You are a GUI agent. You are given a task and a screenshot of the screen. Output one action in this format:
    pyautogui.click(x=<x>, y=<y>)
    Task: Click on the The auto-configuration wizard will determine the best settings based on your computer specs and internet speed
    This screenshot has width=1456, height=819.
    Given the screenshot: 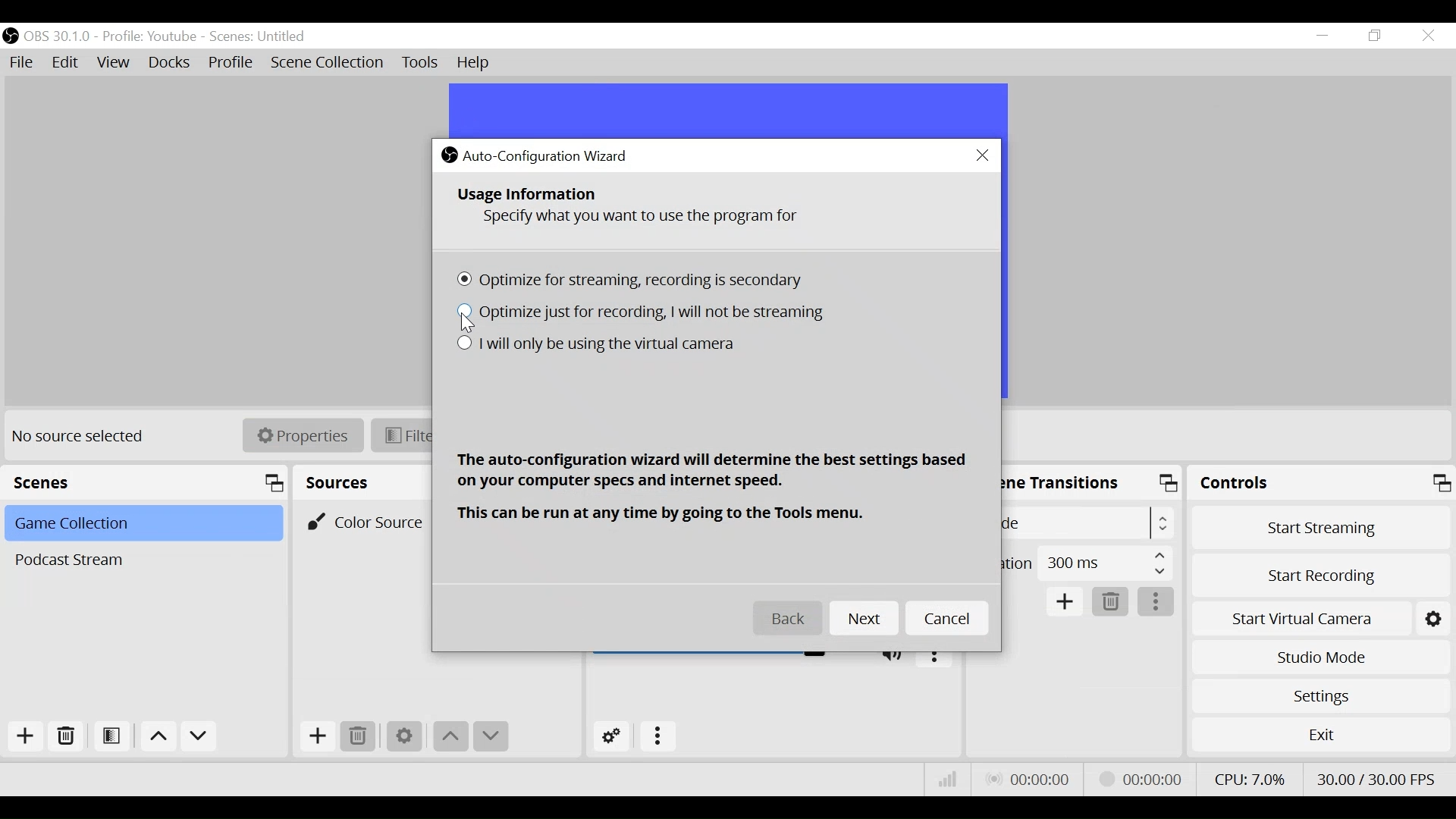 What is the action you would take?
    pyautogui.click(x=713, y=472)
    